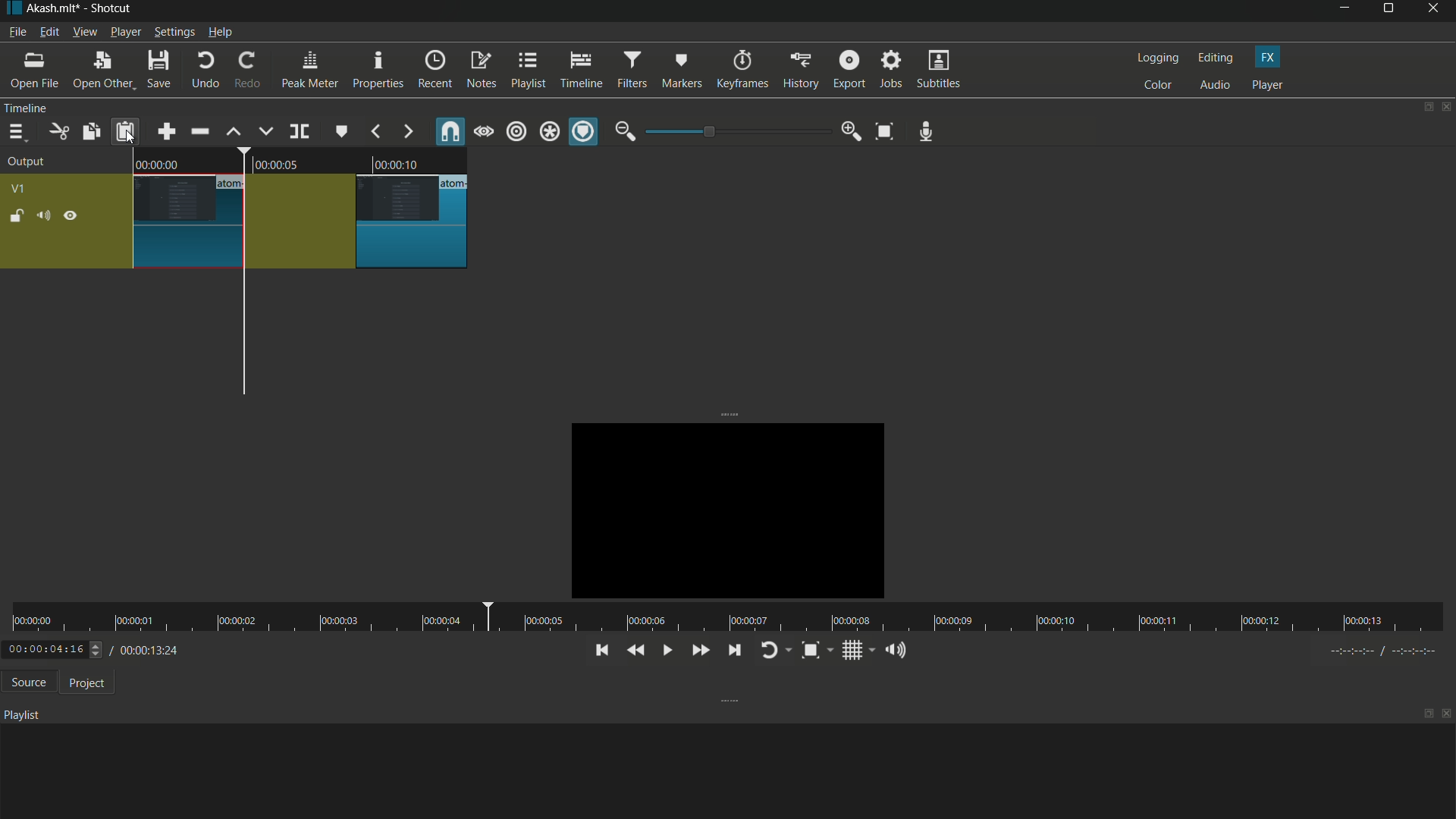 This screenshot has width=1456, height=819. I want to click on copy, so click(90, 131).